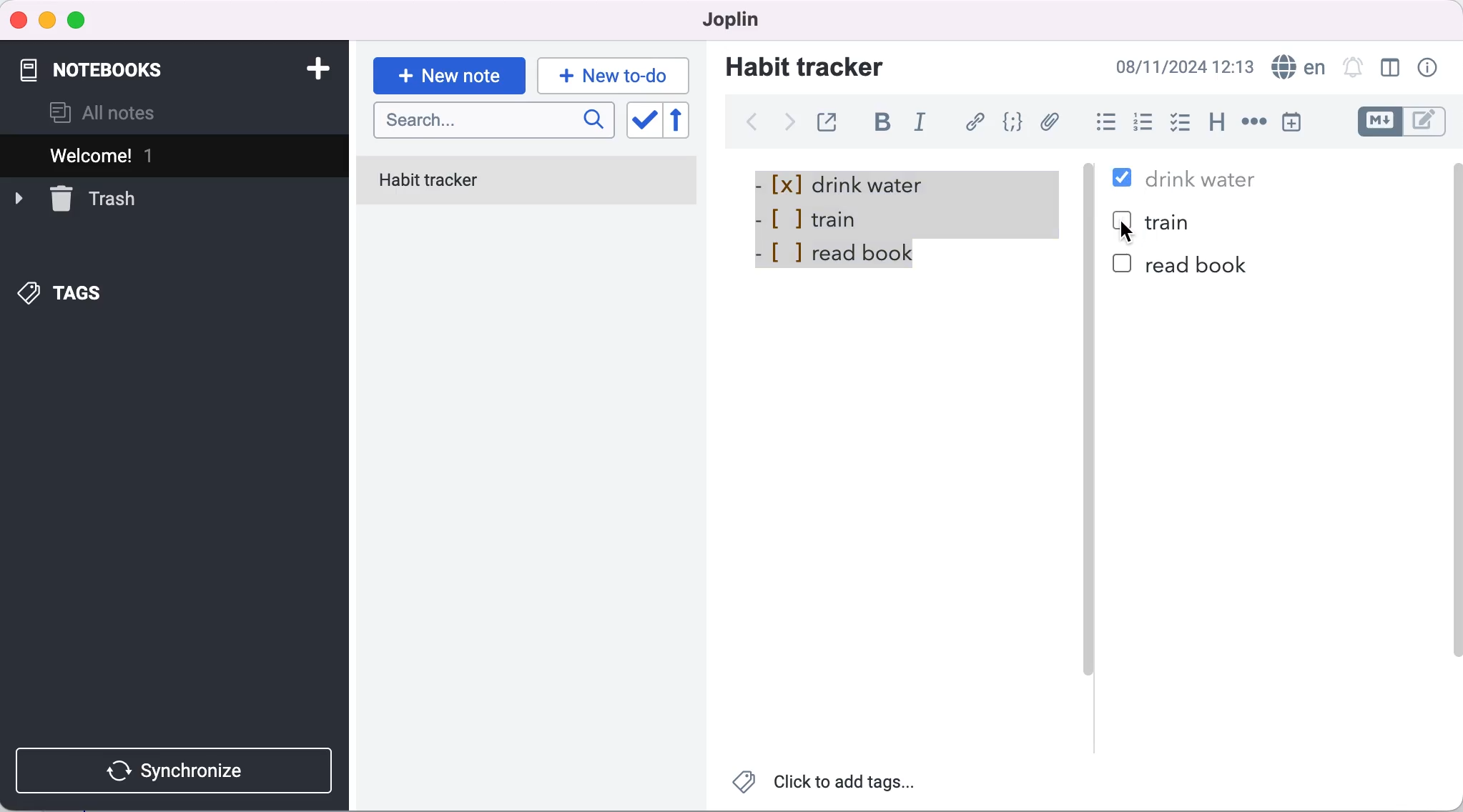 The width and height of the screenshot is (1463, 812). Describe the element at coordinates (1181, 66) in the screenshot. I see `08/11/2024 12:13` at that location.